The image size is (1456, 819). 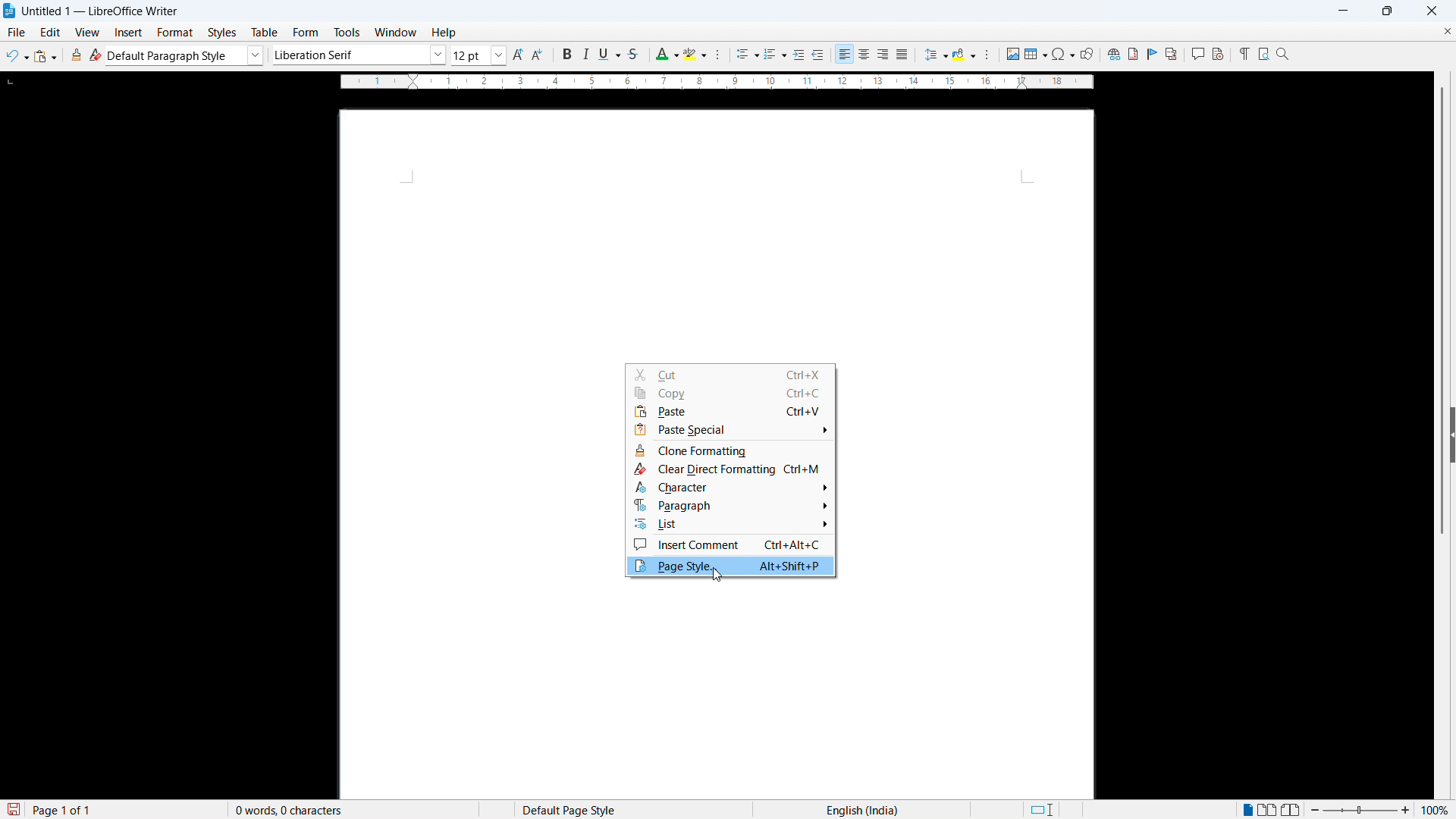 I want to click on help , so click(x=444, y=33).